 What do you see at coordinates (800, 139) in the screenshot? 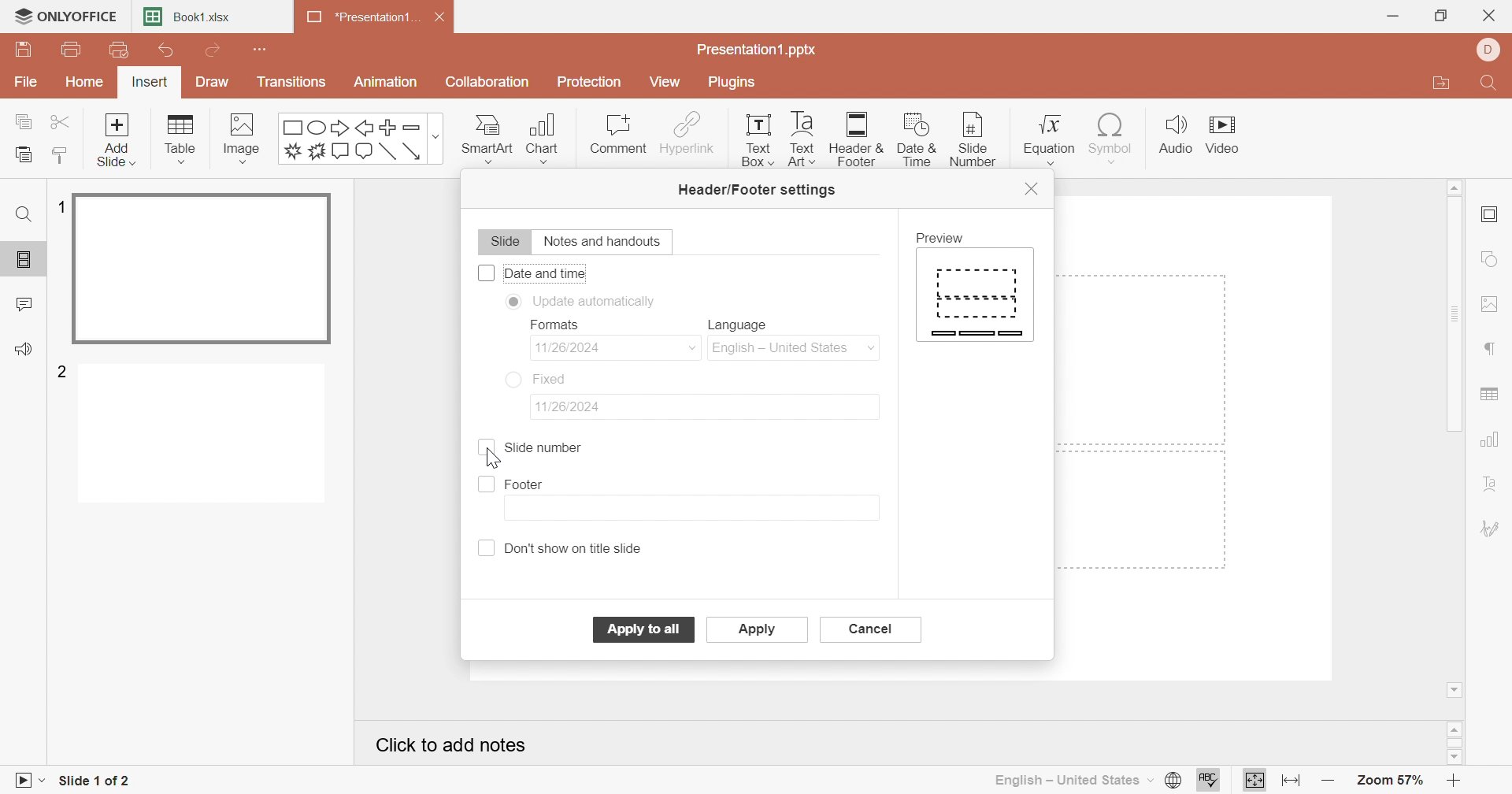
I see `Text Art` at bounding box center [800, 139].